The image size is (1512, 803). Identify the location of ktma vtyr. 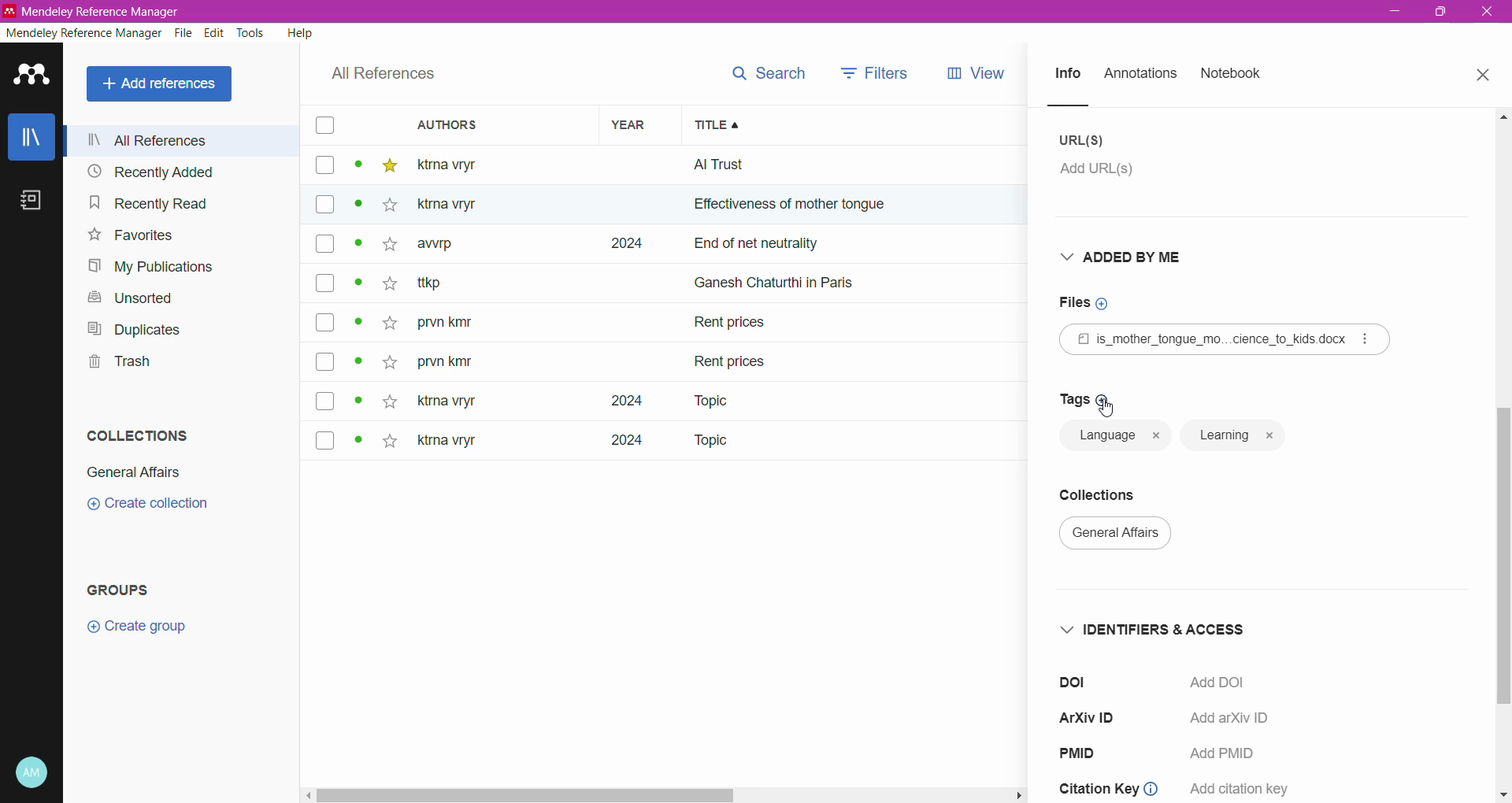
(458, 164).